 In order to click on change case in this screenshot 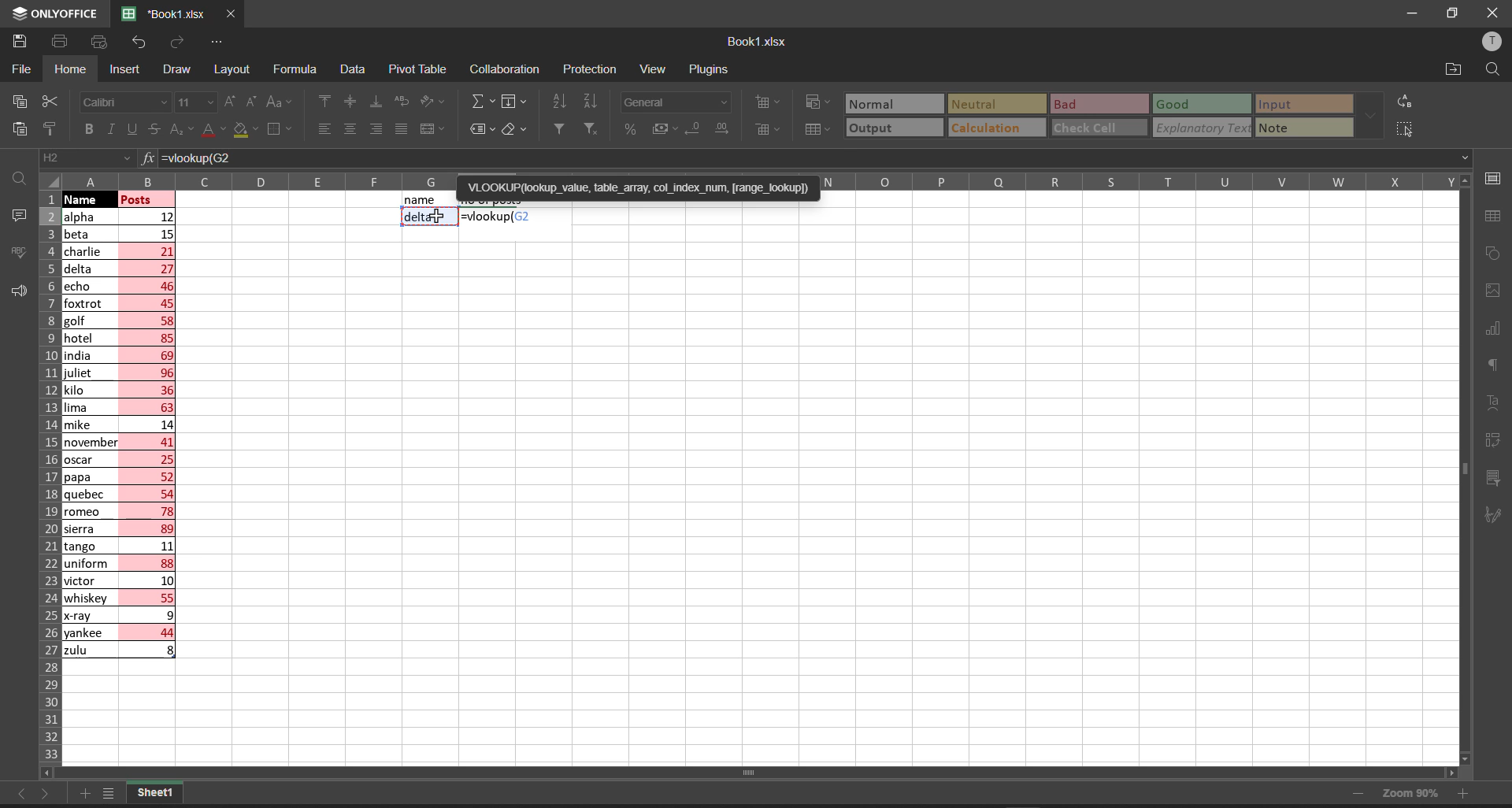, I will do `click(281, 102)`.